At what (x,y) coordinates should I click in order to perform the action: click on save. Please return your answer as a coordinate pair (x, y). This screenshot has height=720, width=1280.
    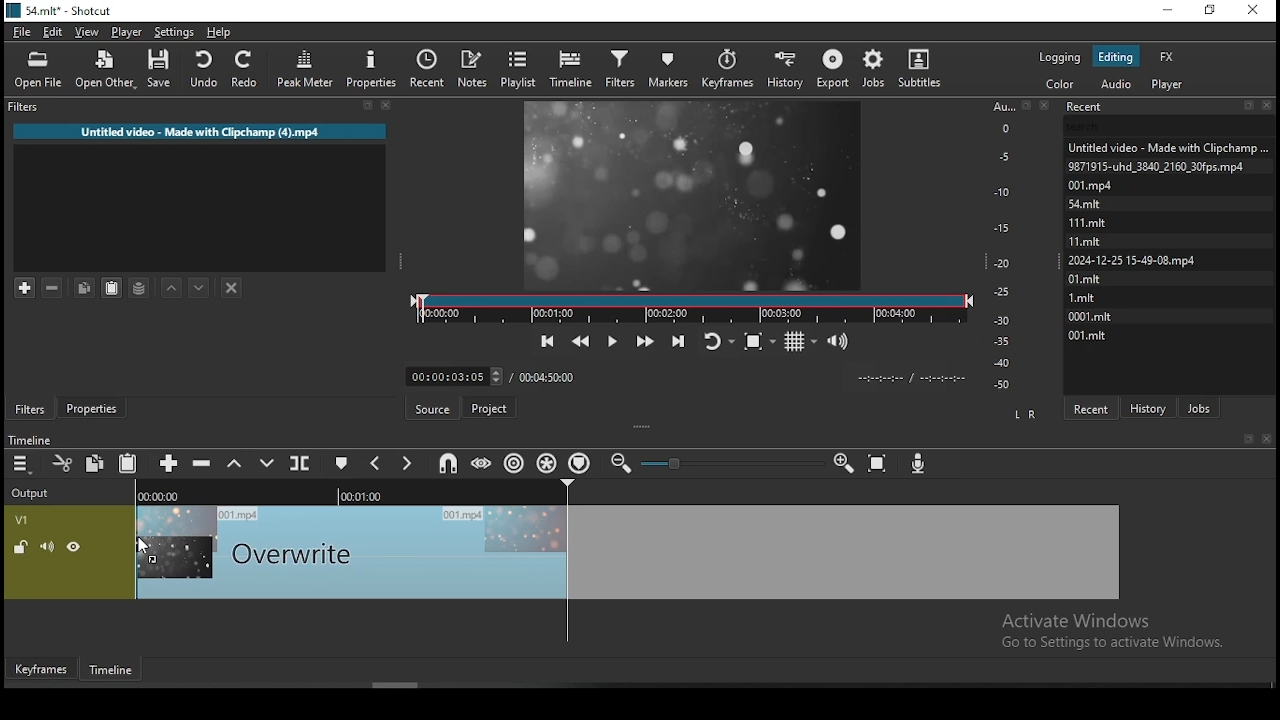
    Looking at the image, I should click on (159, 70).